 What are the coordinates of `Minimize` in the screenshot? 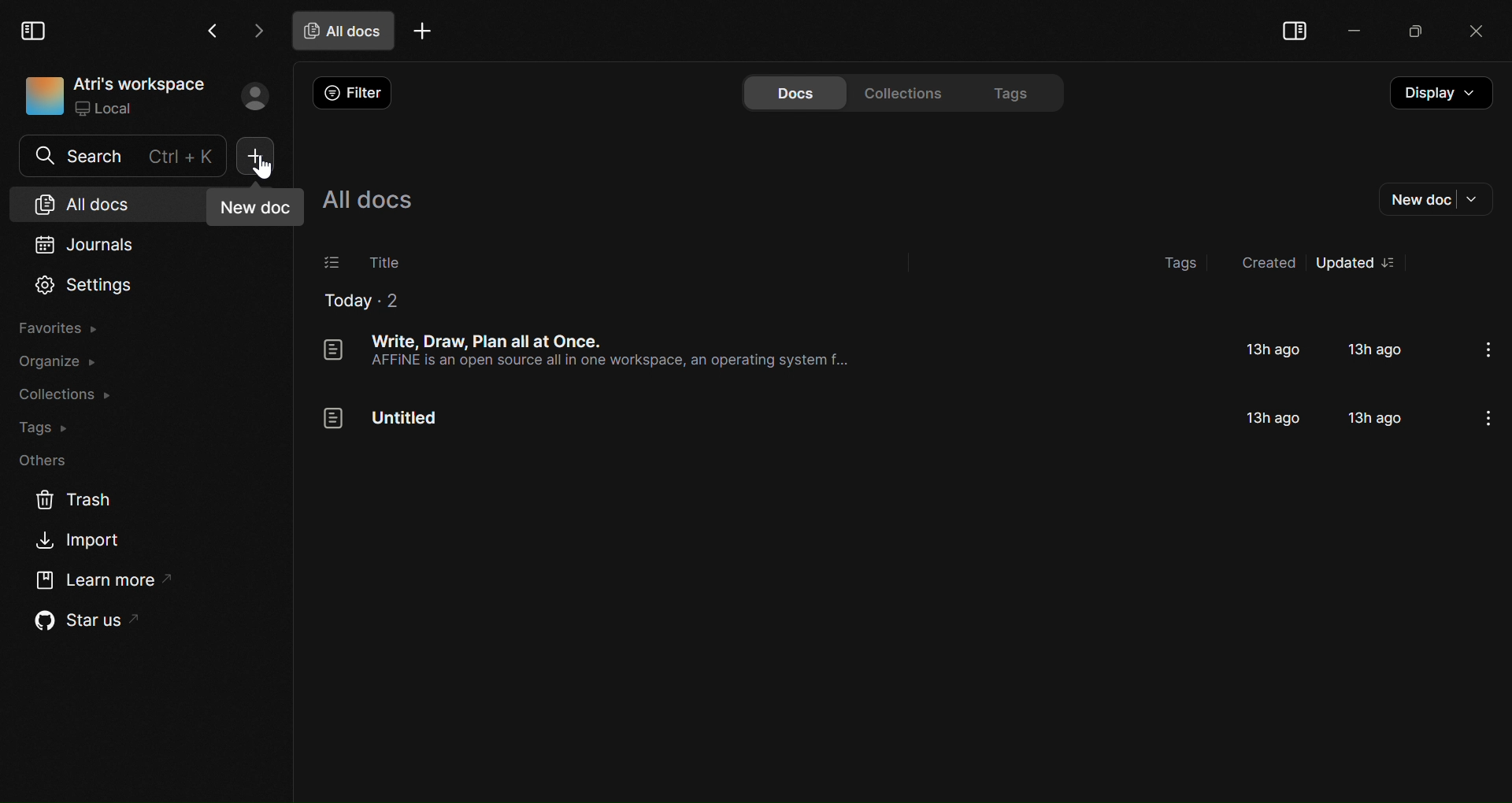 It's located at (1348, 31).